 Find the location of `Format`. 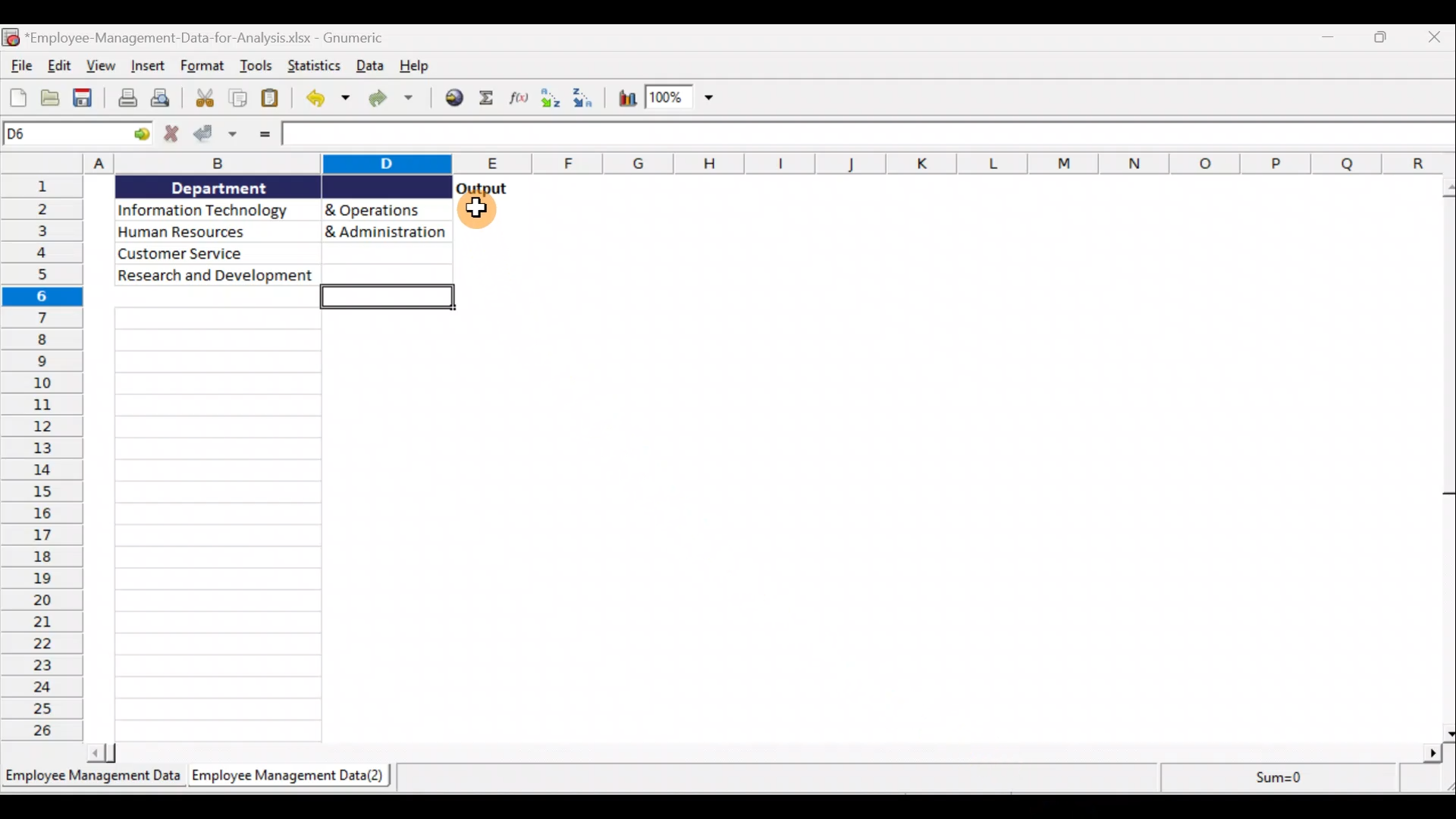

Format is located at coordinates (202, 66).